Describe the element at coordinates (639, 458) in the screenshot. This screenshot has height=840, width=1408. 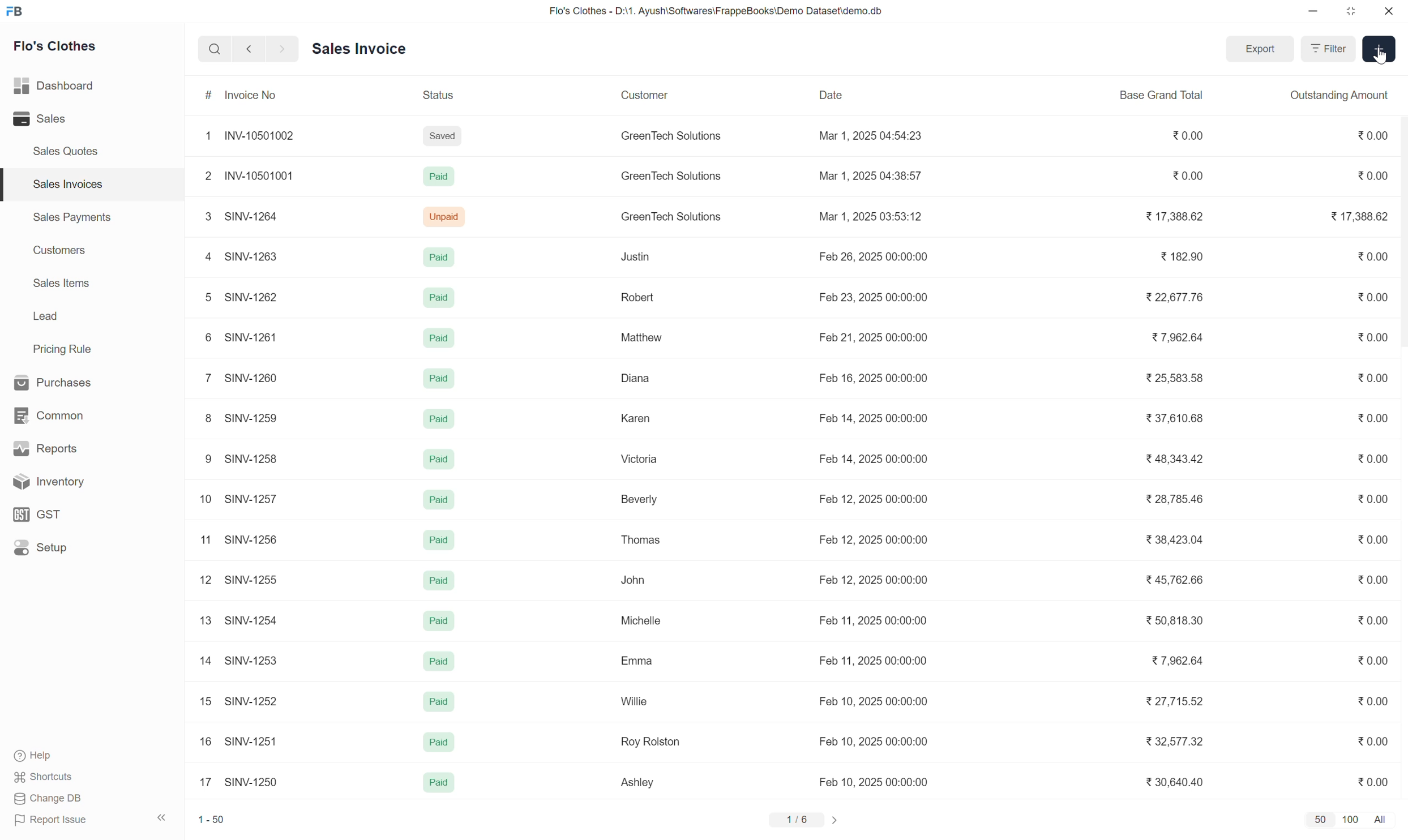
I see `Victoria` at that location.